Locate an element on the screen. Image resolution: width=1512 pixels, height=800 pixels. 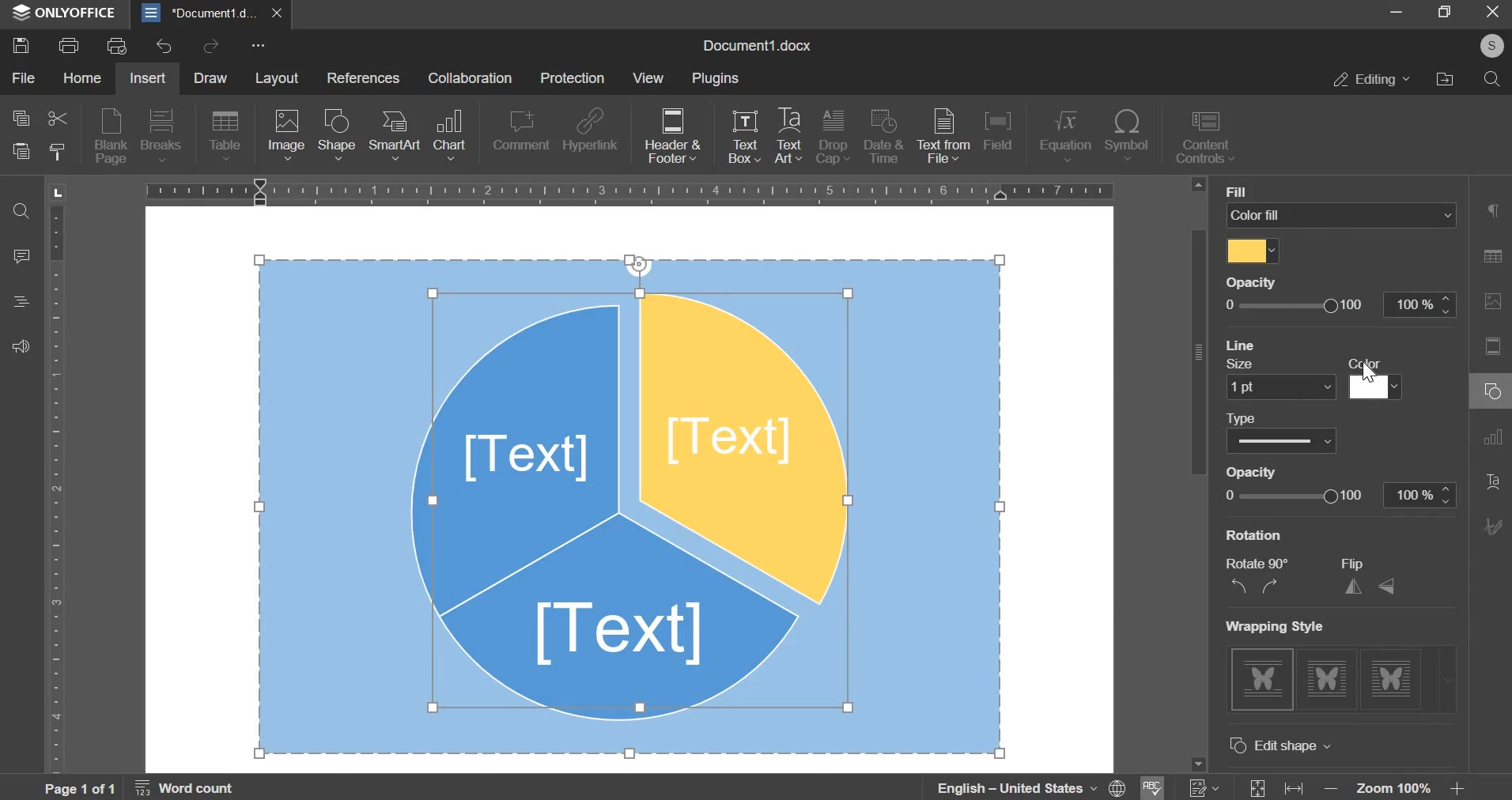
editing is located at coordinates (1369, 77).